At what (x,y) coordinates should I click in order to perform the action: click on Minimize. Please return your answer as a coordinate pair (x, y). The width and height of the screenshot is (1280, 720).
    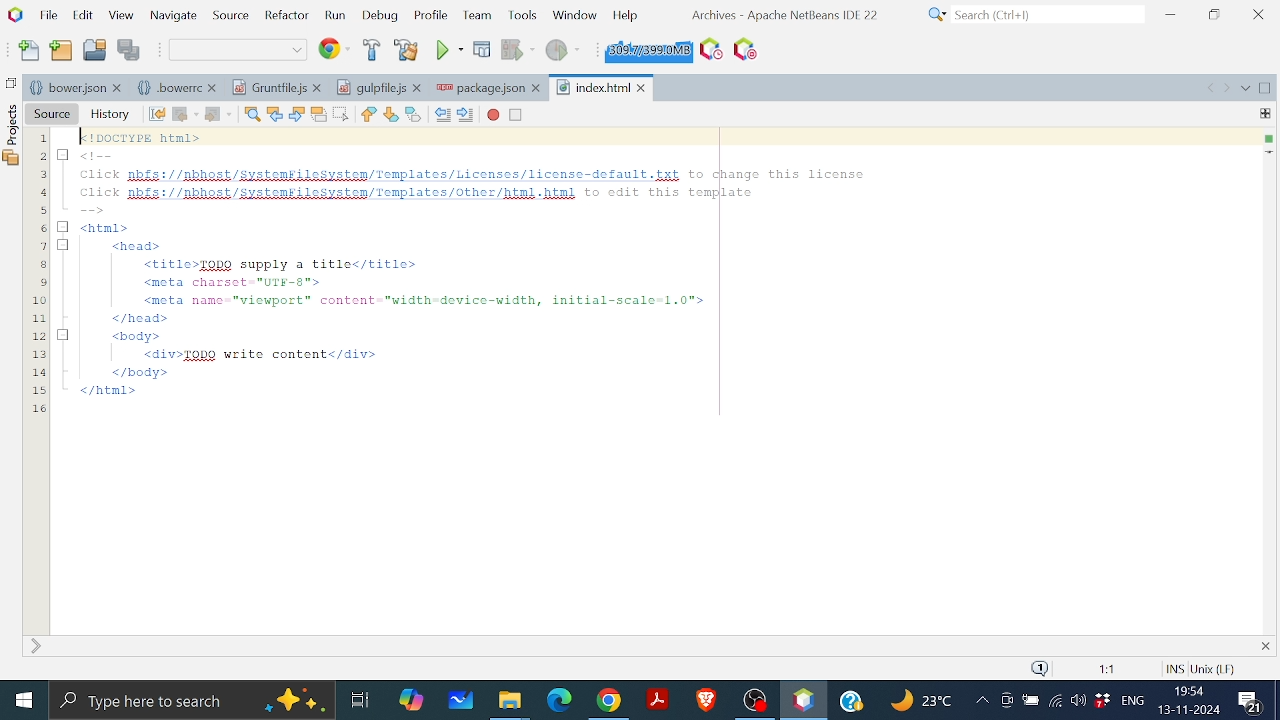
    Looking at the image, I should click on (1170, 14).